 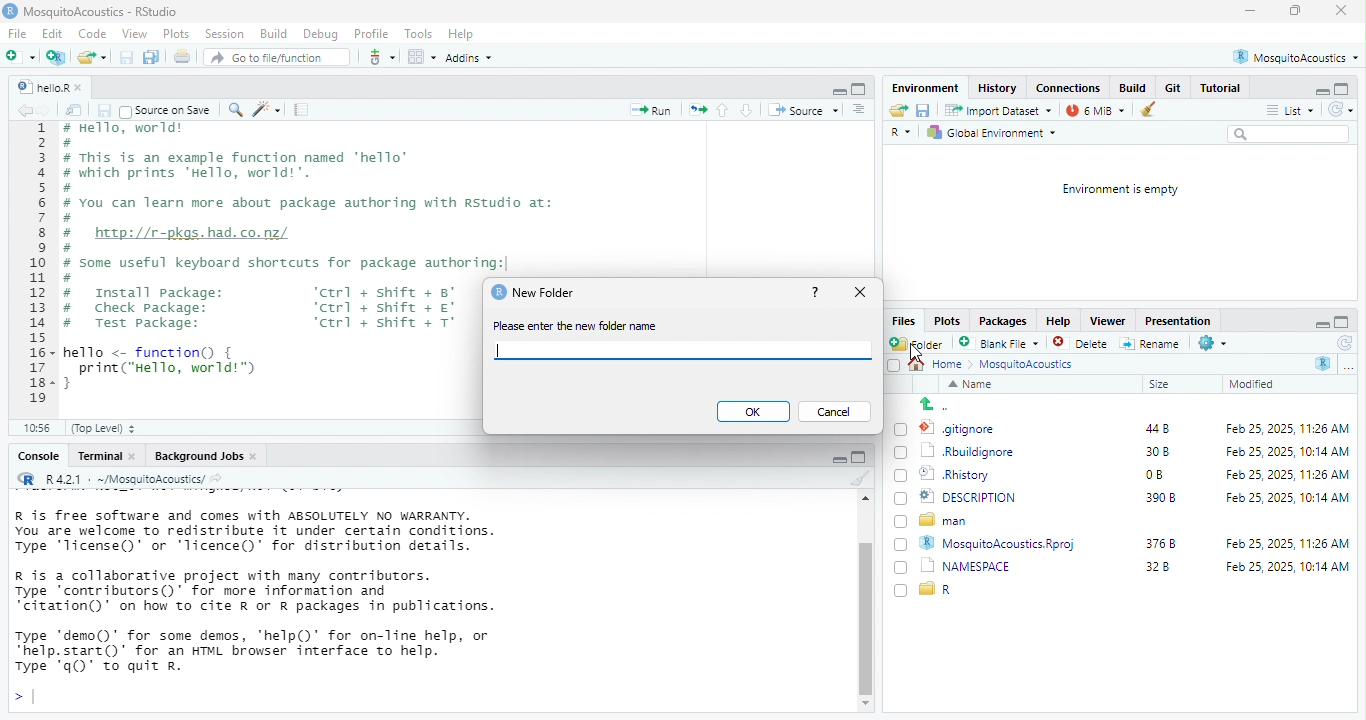 I want to click on new file, so click(x=23, y=56).